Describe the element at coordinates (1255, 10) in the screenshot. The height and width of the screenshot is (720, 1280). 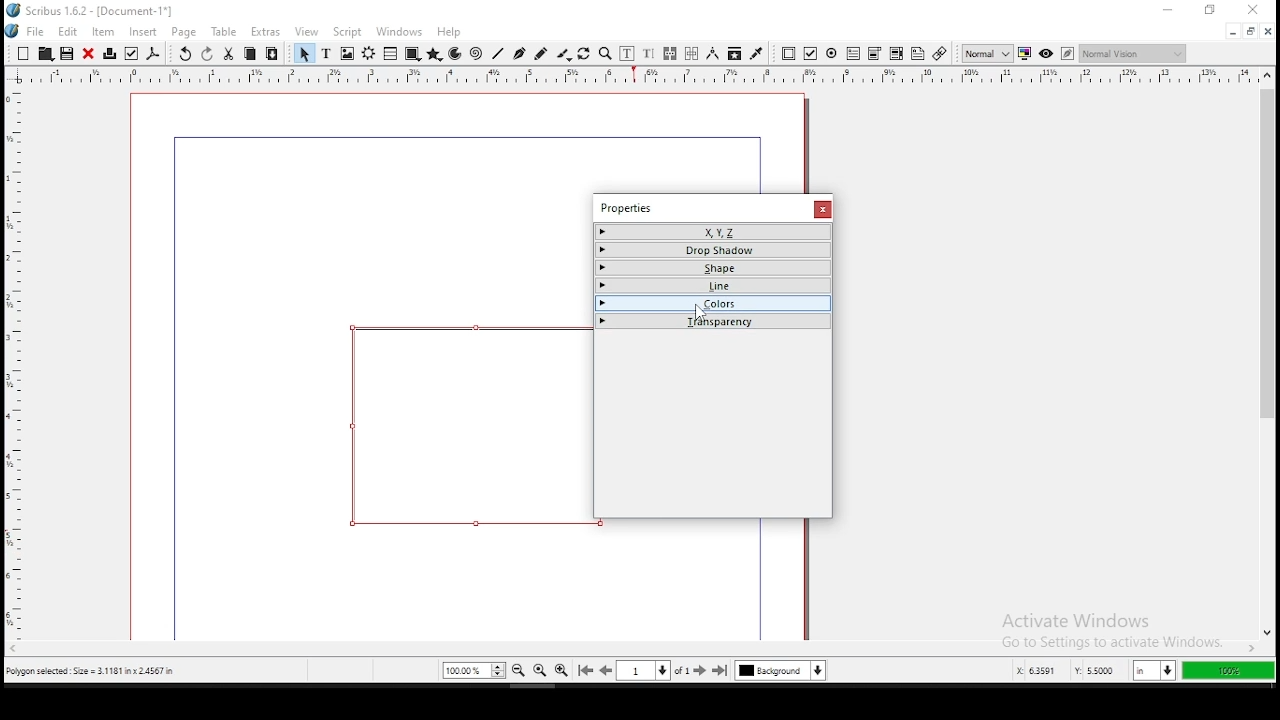
I see `close` at that location.